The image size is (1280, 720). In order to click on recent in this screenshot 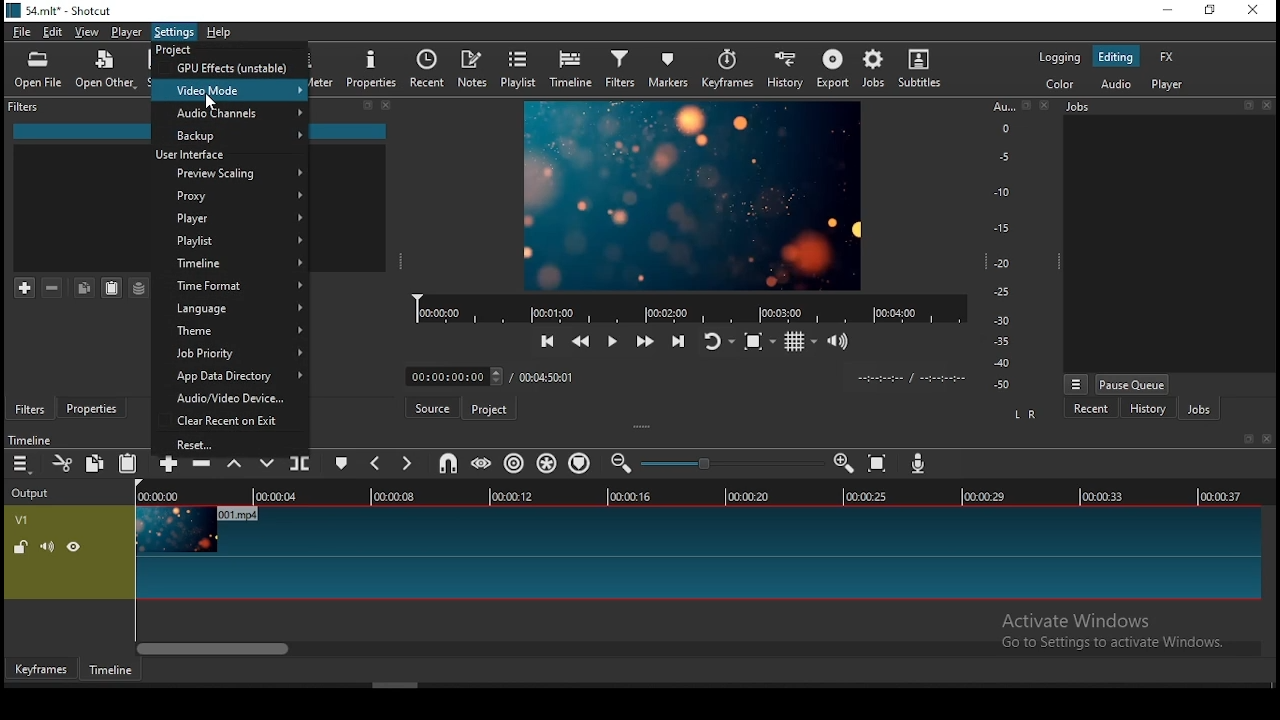, I will do `click(1091, 409)`.